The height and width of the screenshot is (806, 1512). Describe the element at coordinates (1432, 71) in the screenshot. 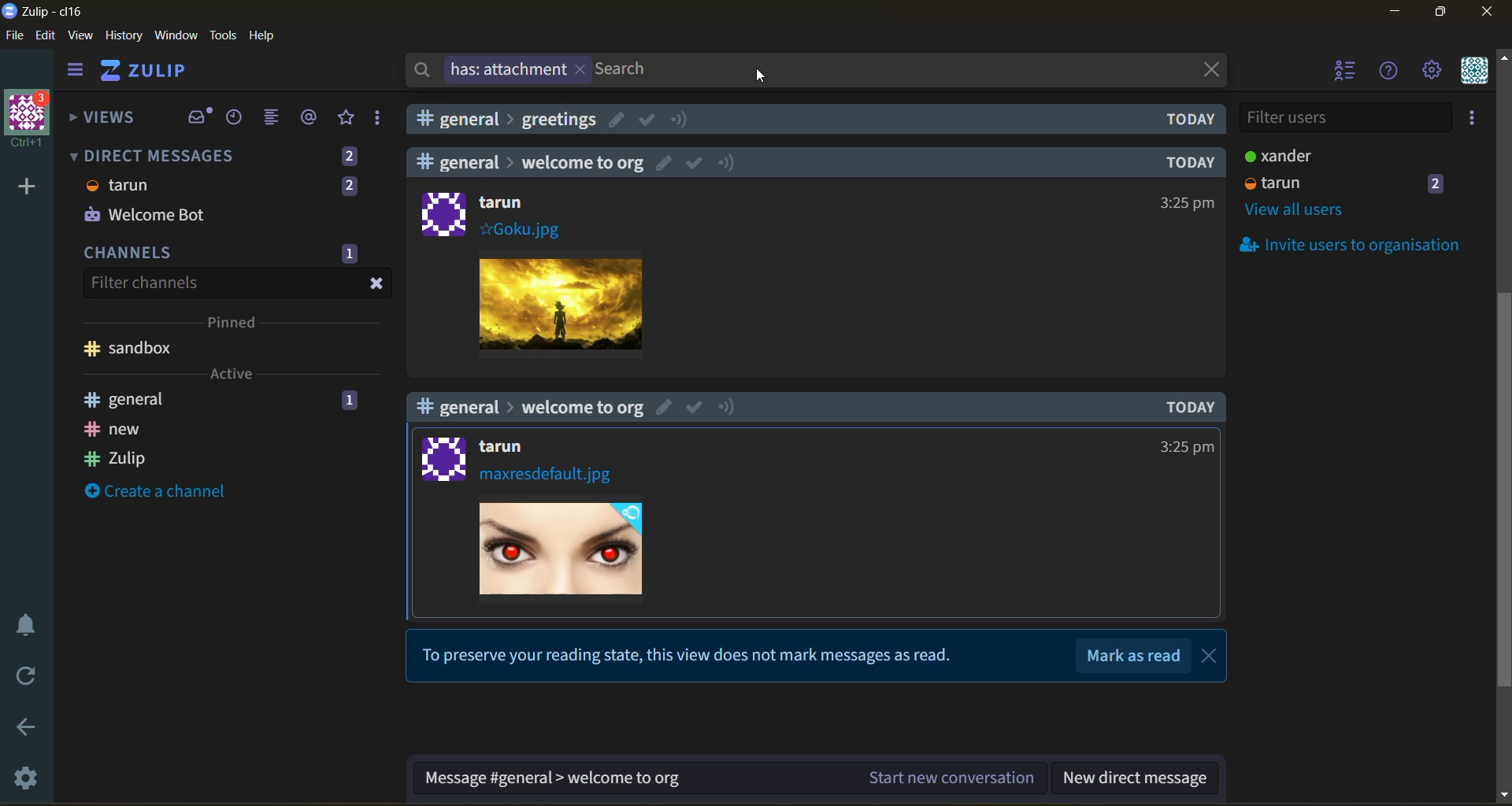

I see `settings` at that location.